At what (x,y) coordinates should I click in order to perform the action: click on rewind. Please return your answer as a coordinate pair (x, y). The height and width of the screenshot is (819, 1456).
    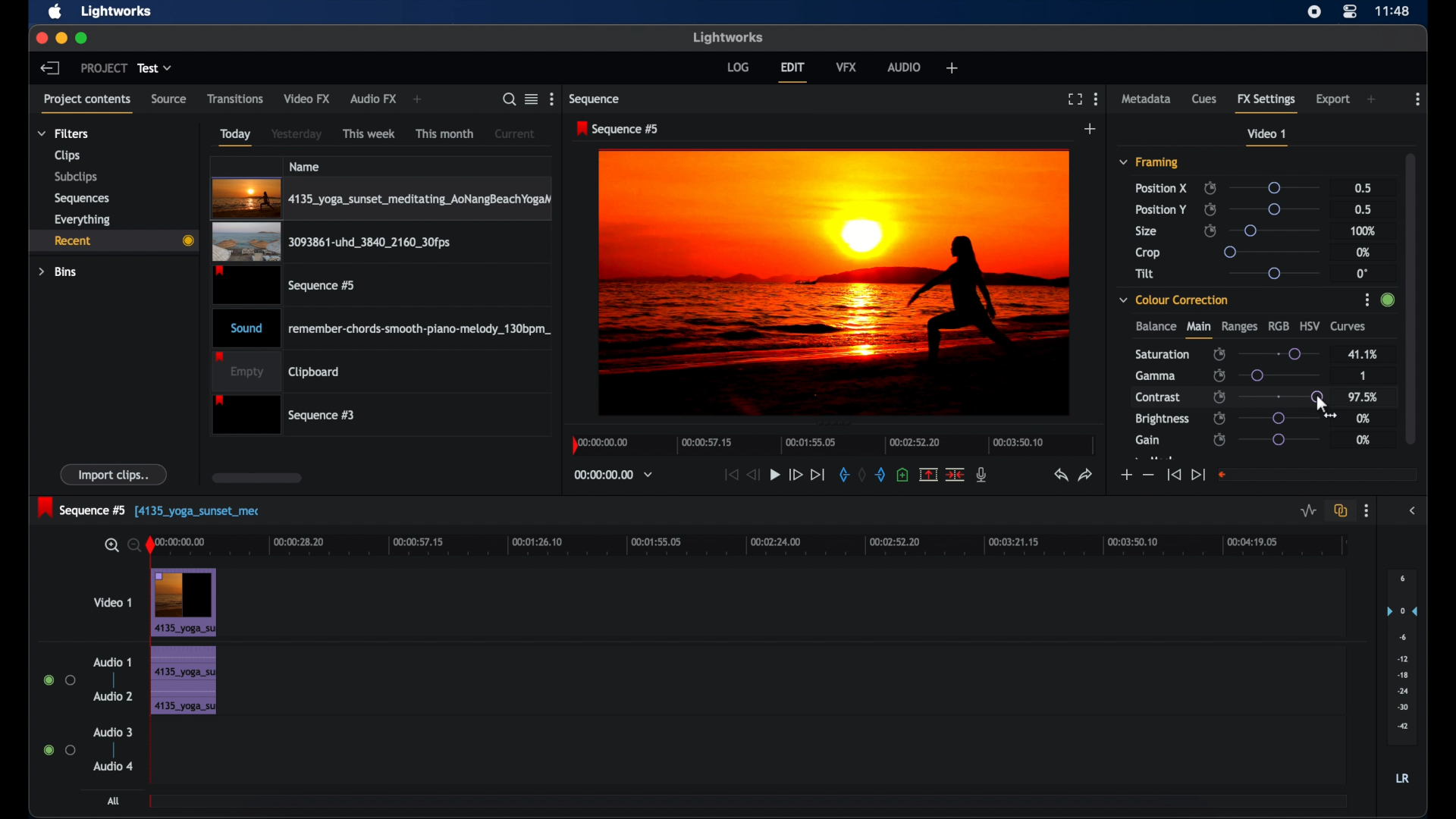
    Looking at the image, I should click on (755, 475).